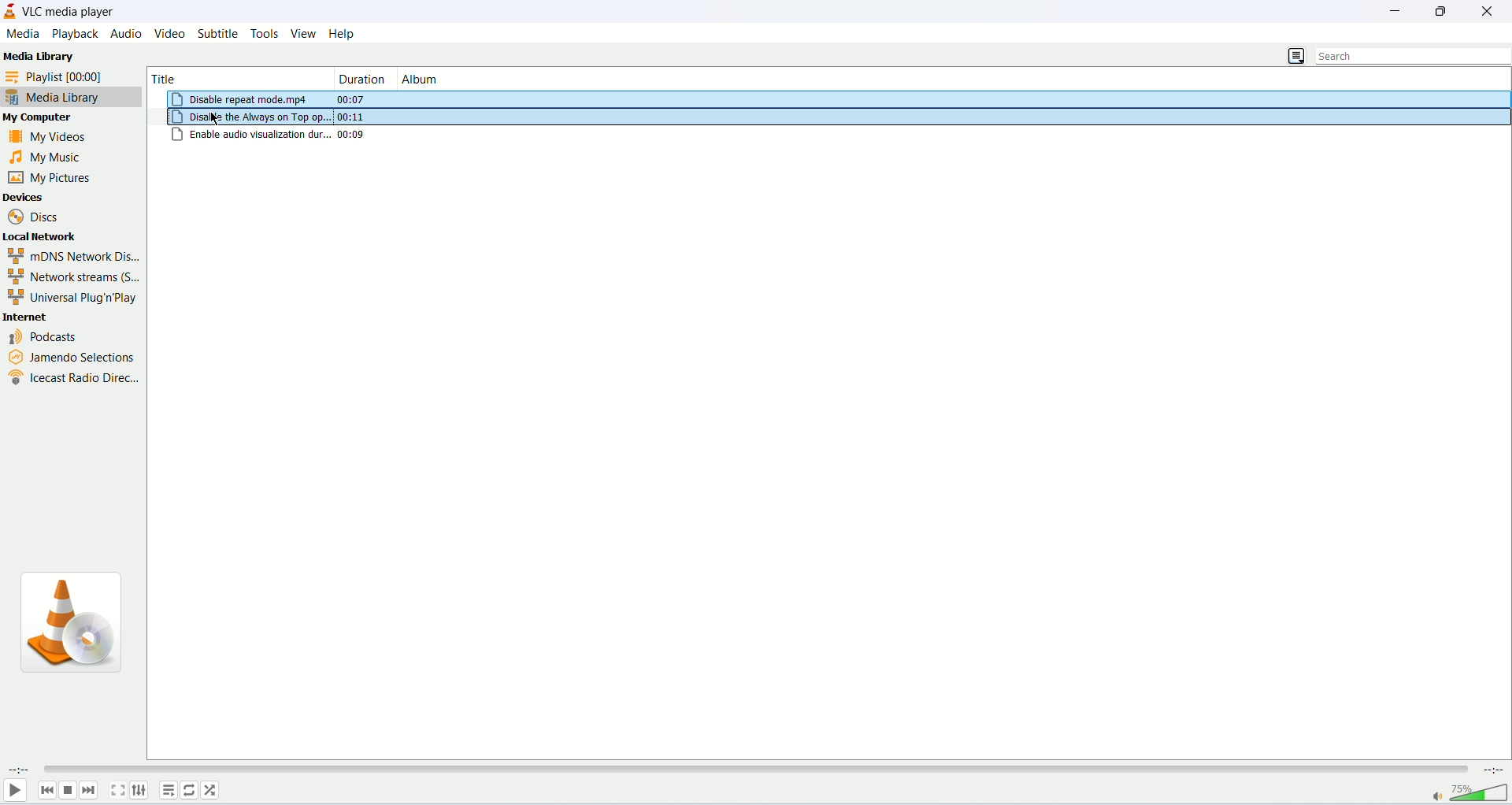 Image resolution: width=1512 pixels, height=805 pixels. Describe the element at coordinates (251, 134) in the screenshot. I see `enable audio visualization dur..` at that location.